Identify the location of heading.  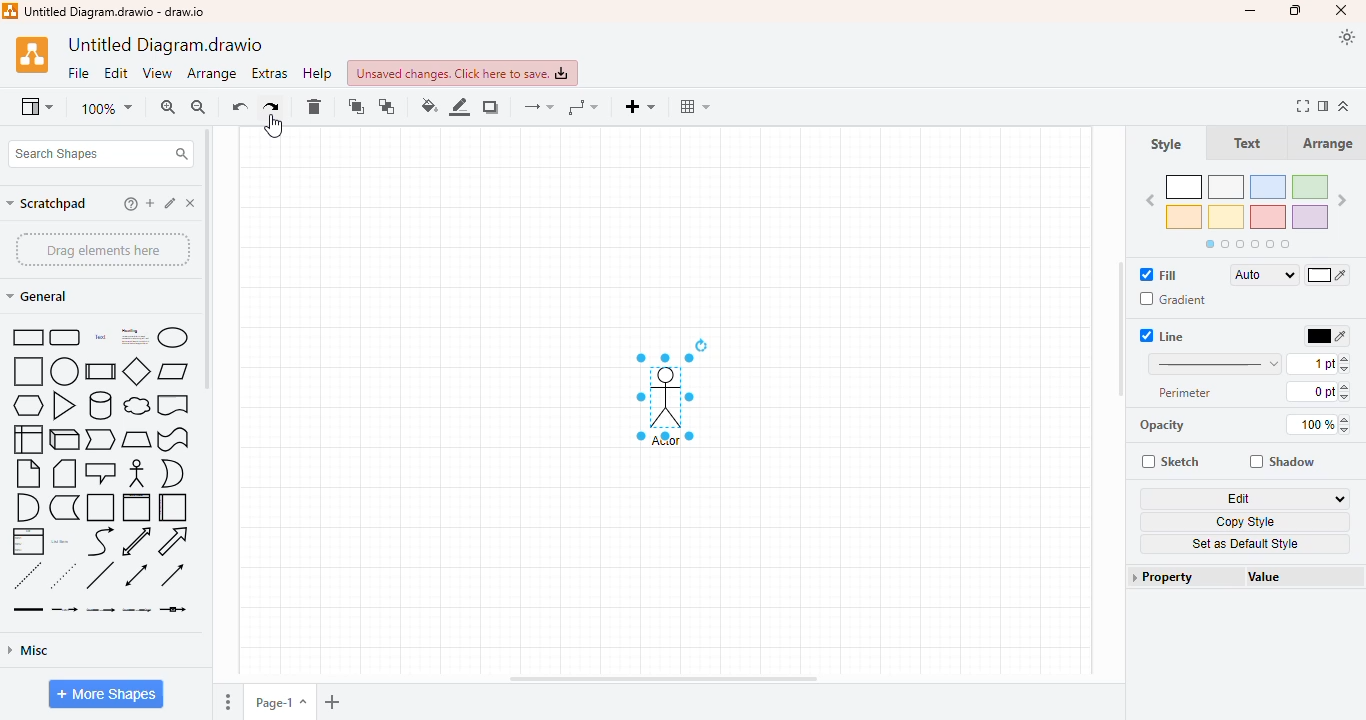
(133, 336).